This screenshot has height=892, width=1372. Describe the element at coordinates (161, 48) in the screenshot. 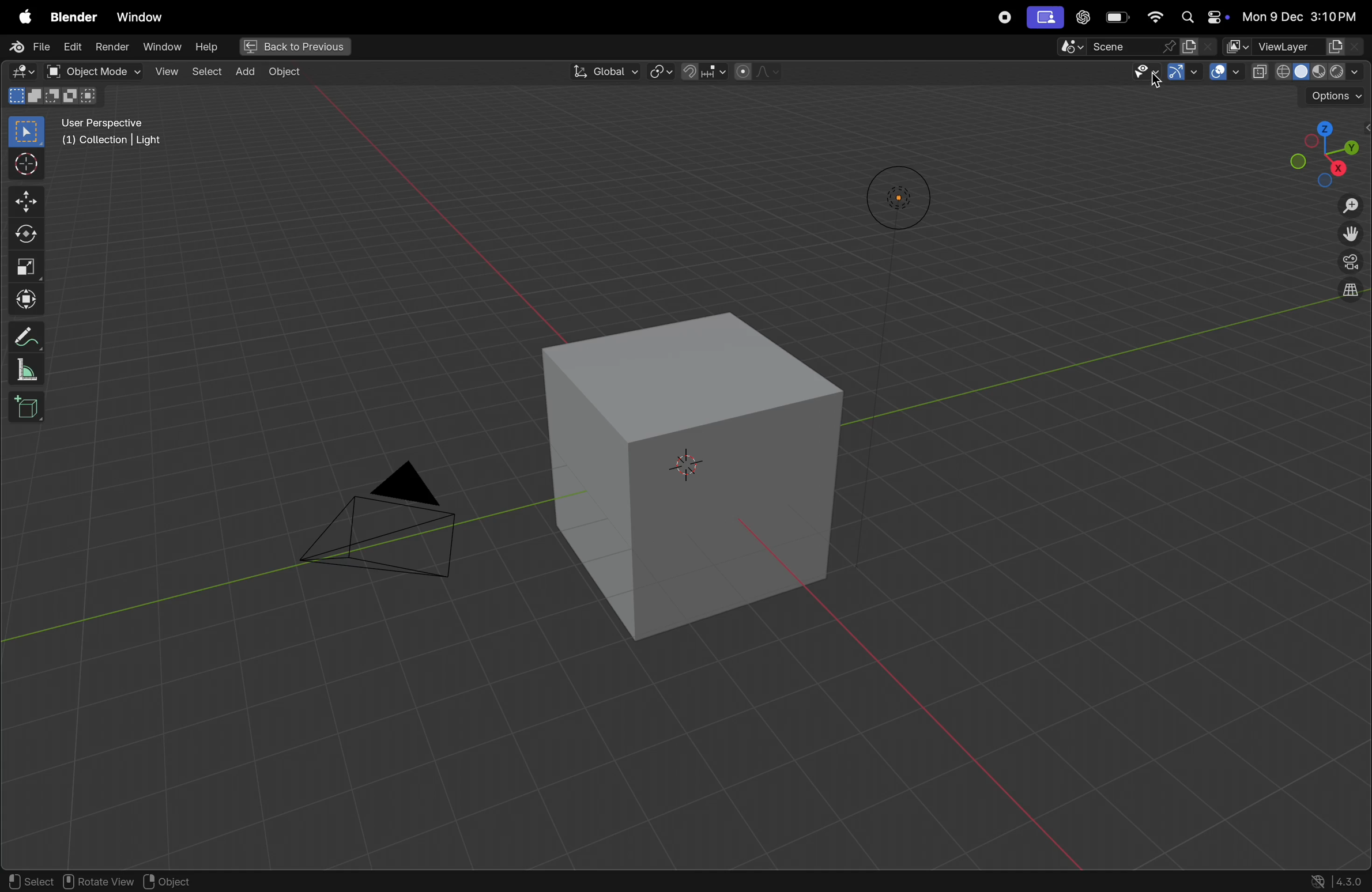

I see `window` at that location.